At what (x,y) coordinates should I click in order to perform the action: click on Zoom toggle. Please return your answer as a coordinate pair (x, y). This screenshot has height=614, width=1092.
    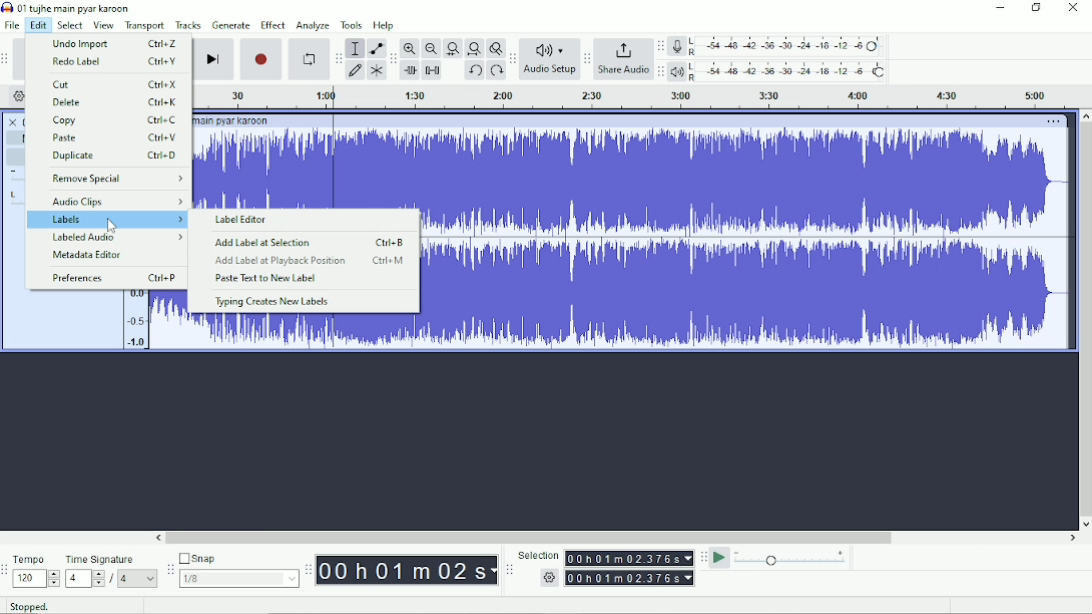
    Looking at the image, I should click on (495, 48).